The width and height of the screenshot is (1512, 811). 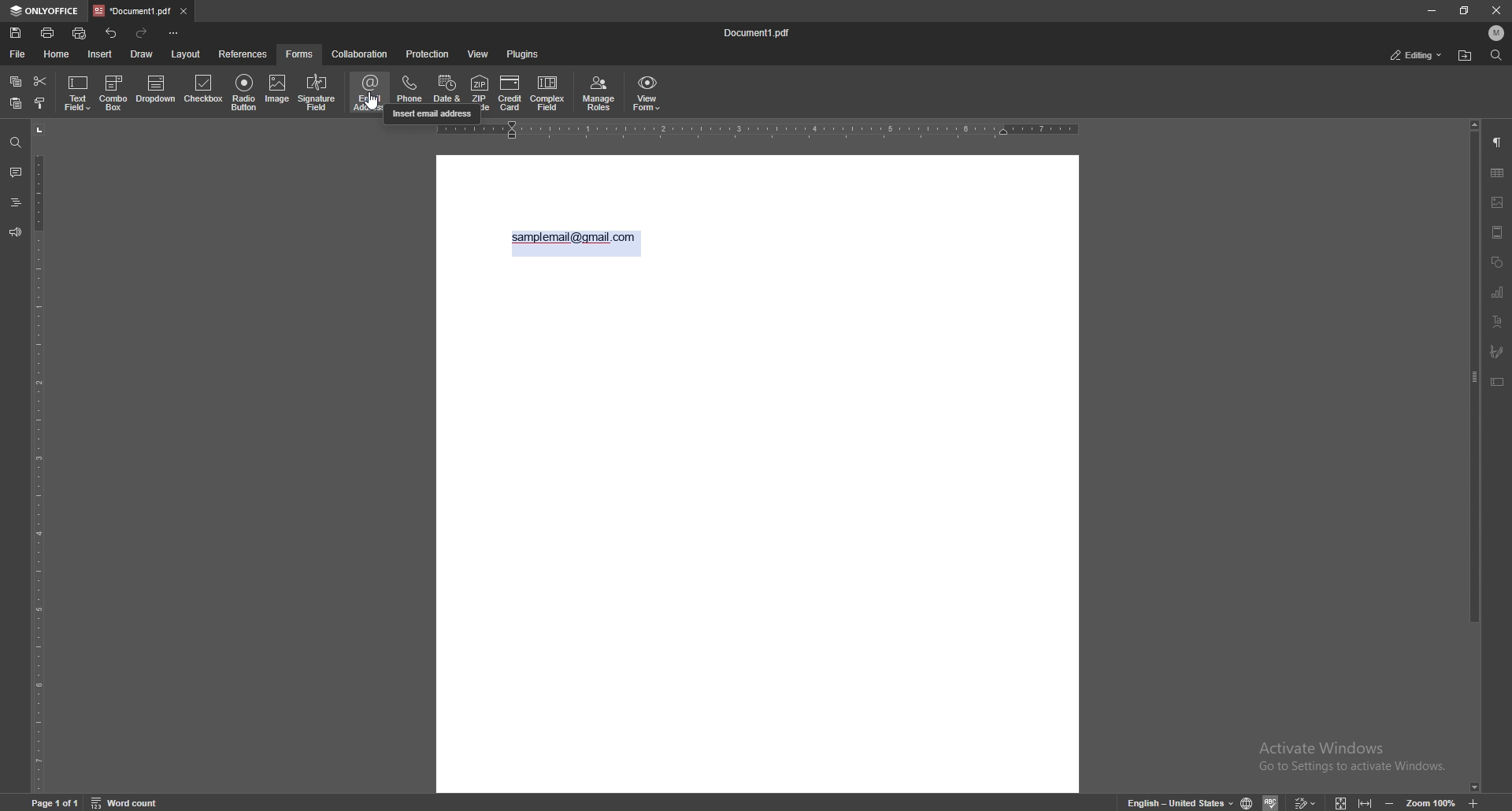 I want to click on vertical scale, so click(x=39, y=457).